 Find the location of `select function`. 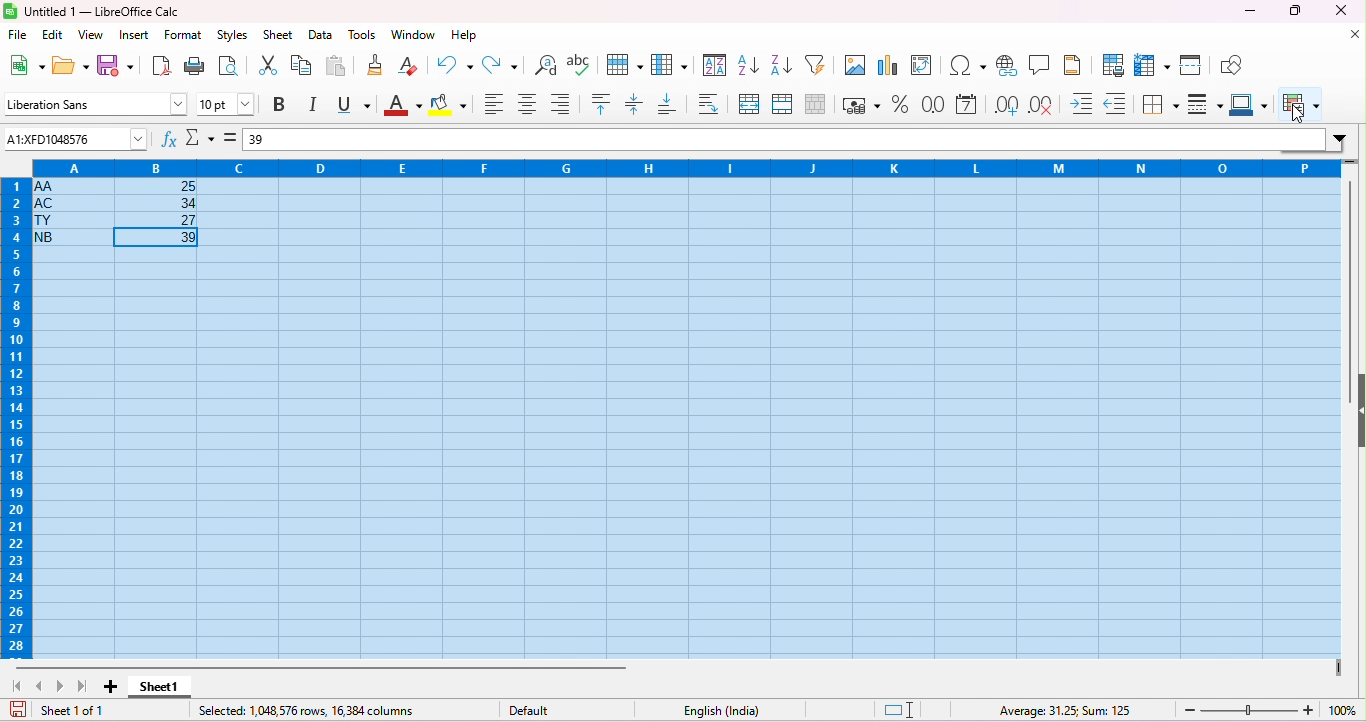

select function is located at coordinates (199, 137).